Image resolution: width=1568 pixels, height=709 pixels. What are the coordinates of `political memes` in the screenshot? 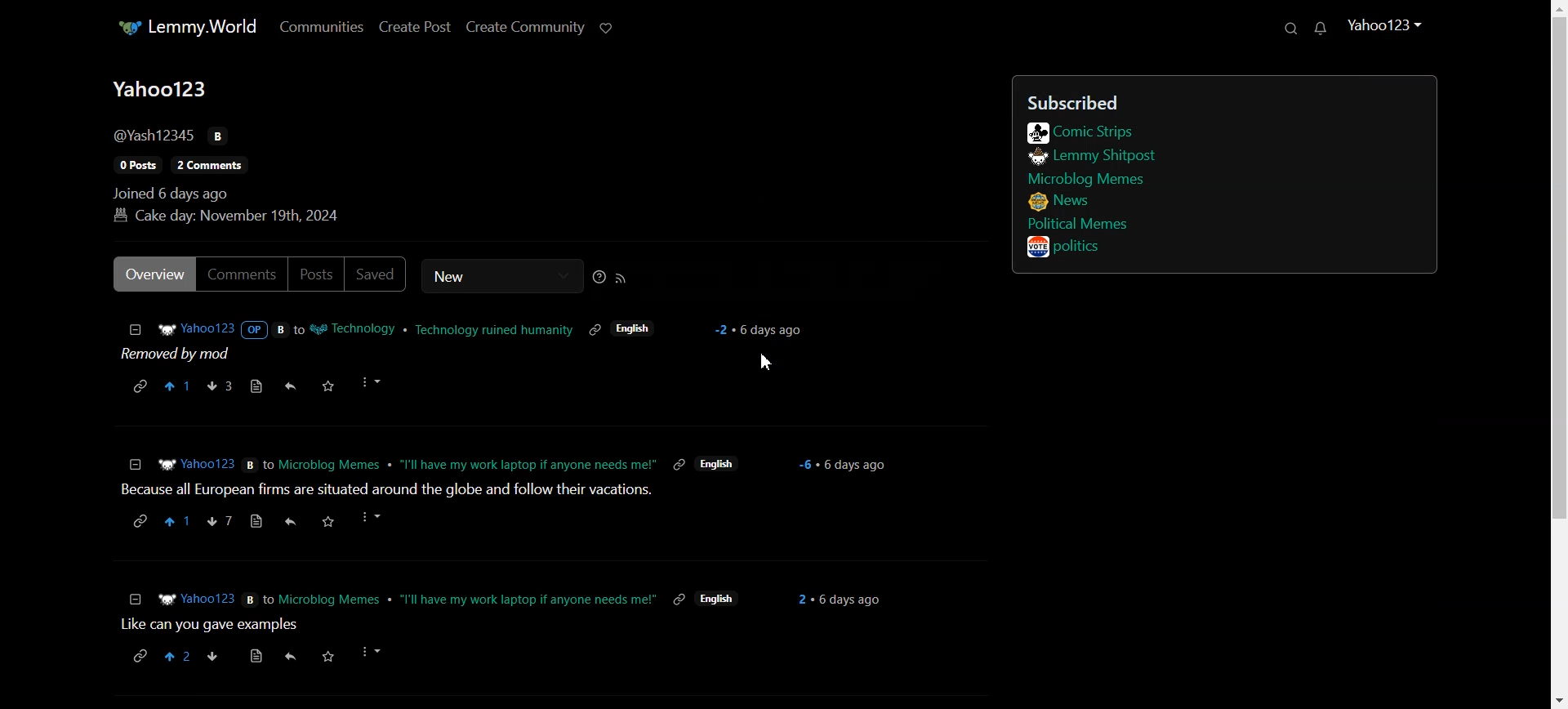 It's located at (1077, 223).